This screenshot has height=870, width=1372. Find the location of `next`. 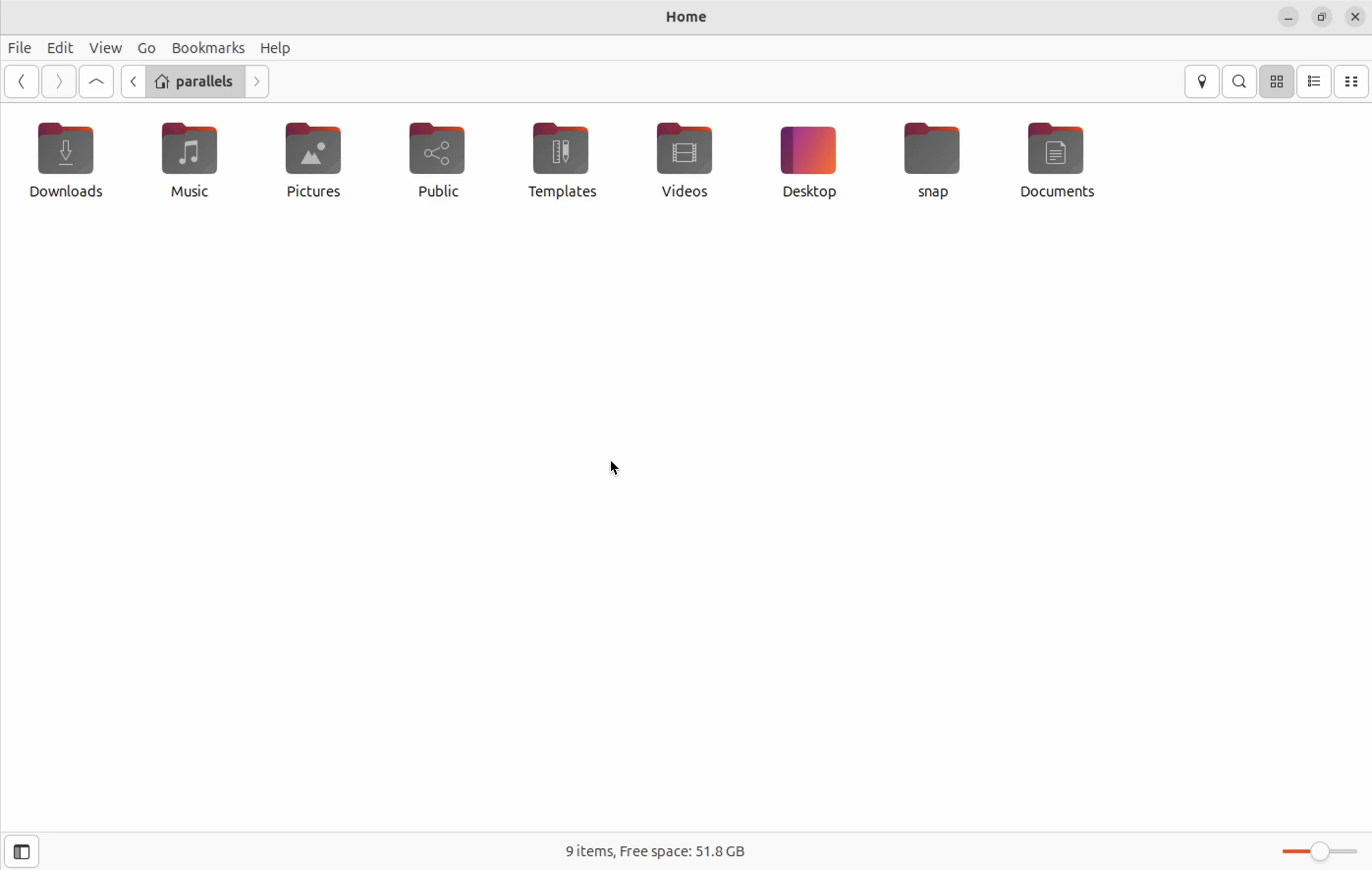

next is located at coordinates (58, 81).